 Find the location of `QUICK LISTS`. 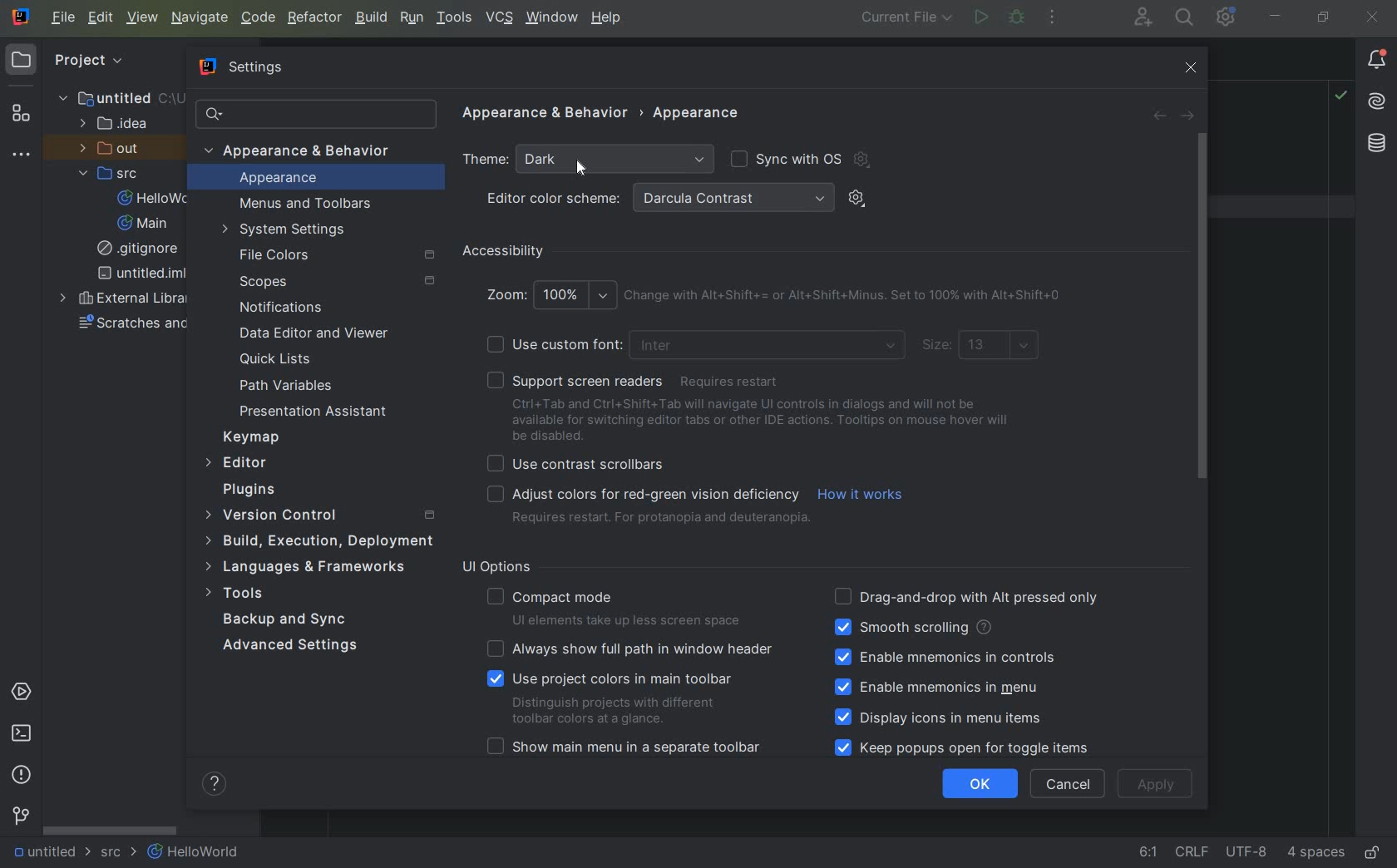

QUICK LISTS is located at coordinates (284, 359).